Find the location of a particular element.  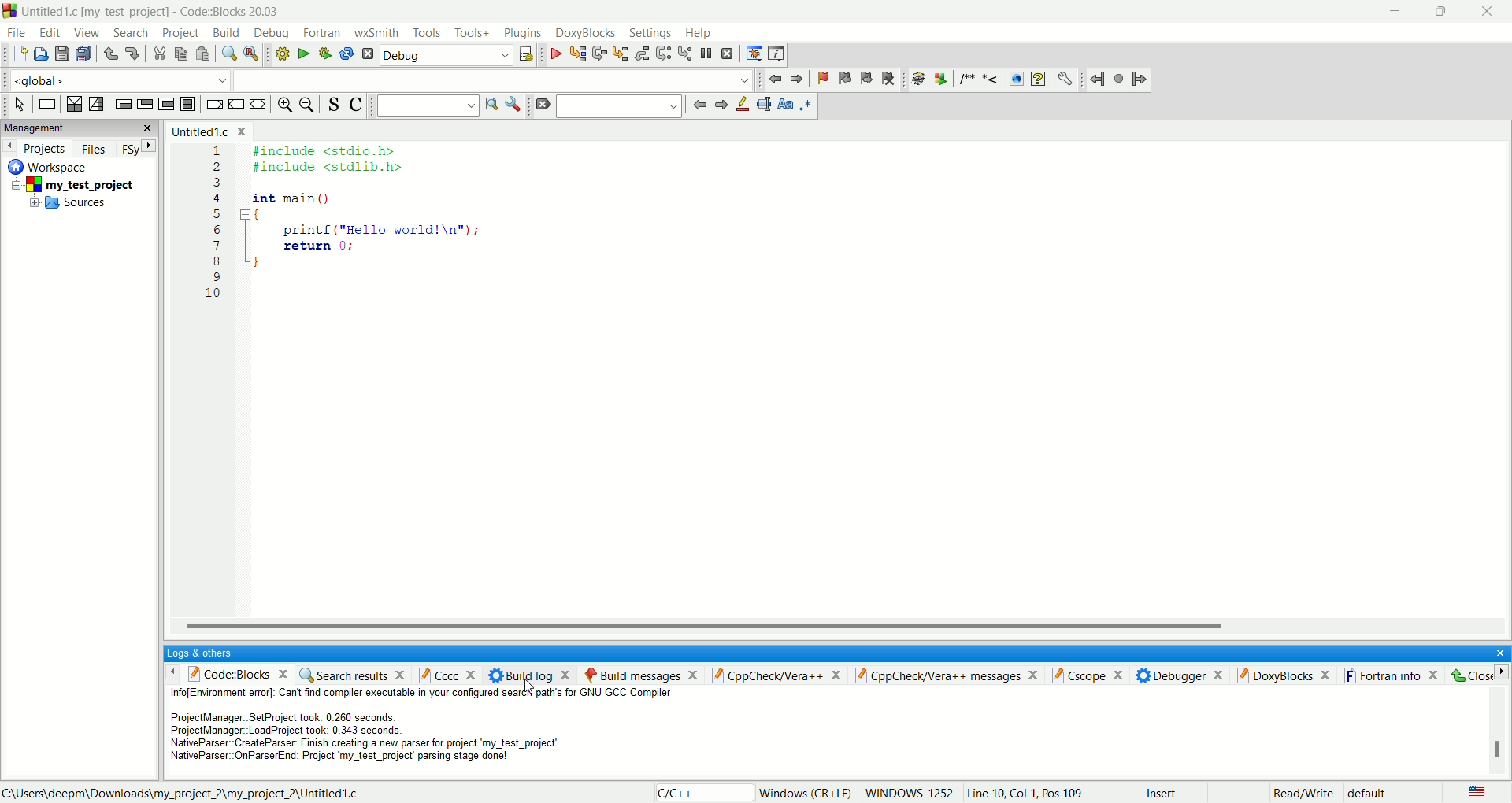

text is located at coordinates (426, 730).